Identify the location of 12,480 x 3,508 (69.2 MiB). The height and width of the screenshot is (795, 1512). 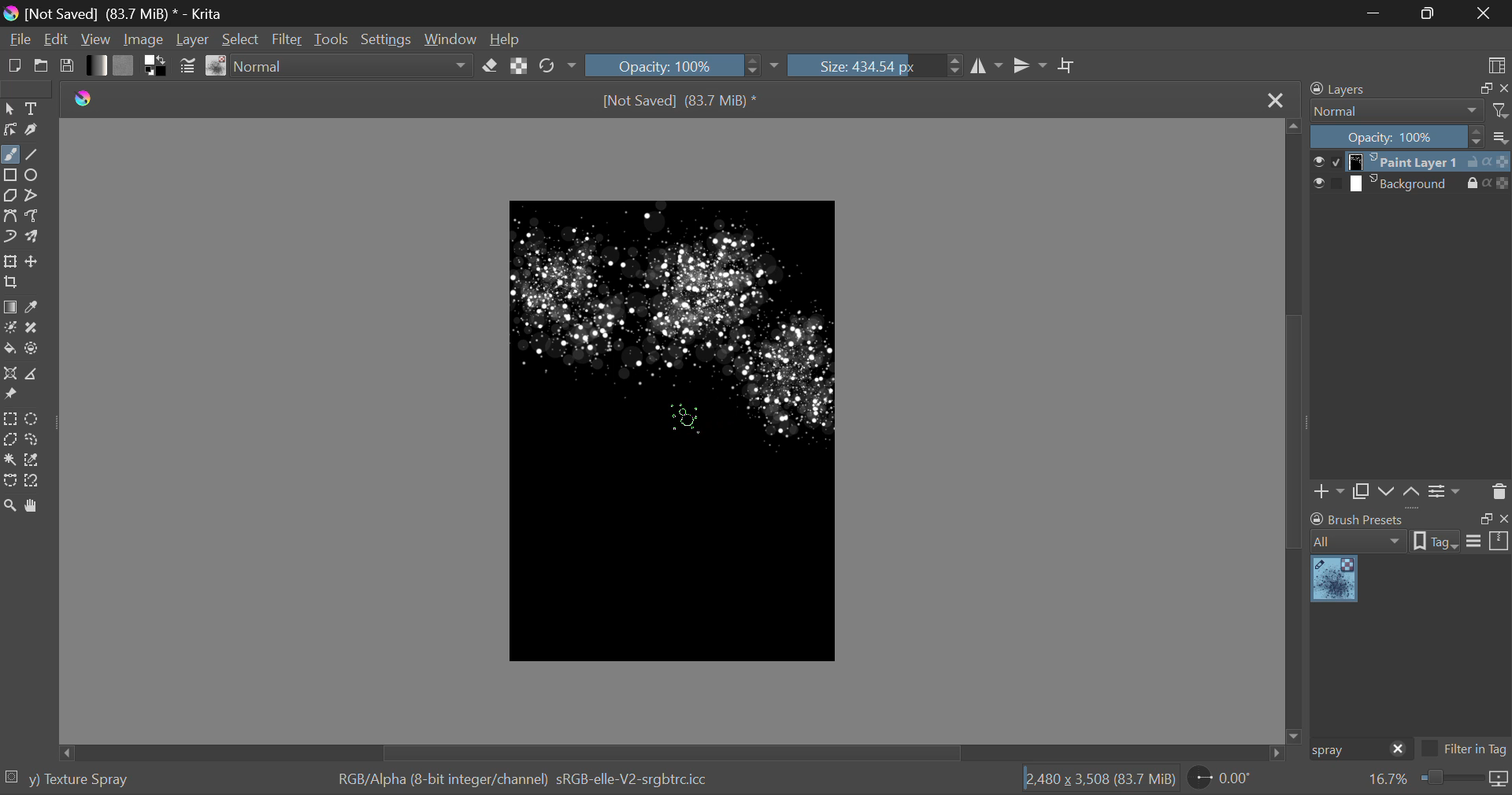
(1100, 778).